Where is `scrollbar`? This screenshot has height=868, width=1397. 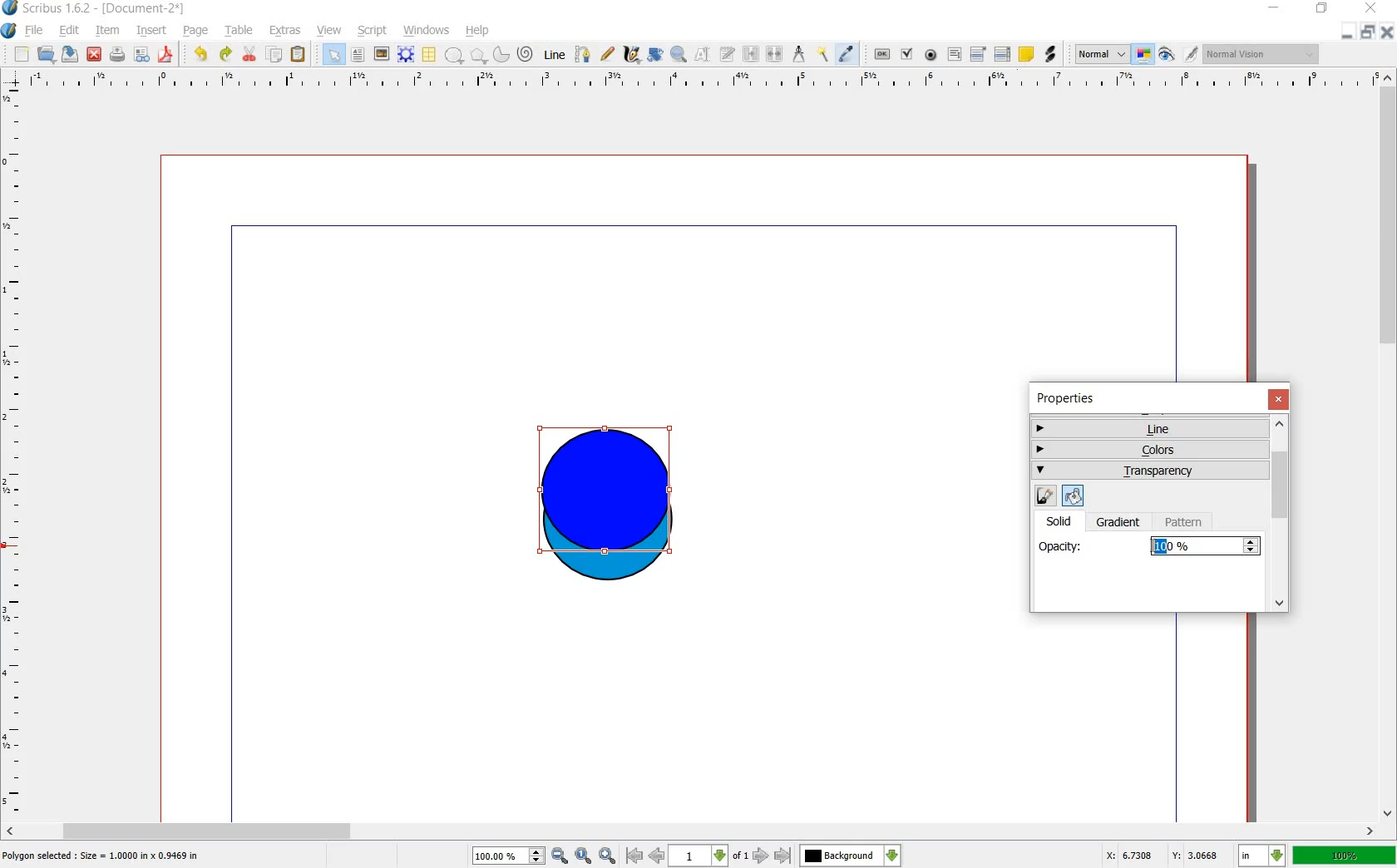 scrollbar is located at coordinates (1281, 515).